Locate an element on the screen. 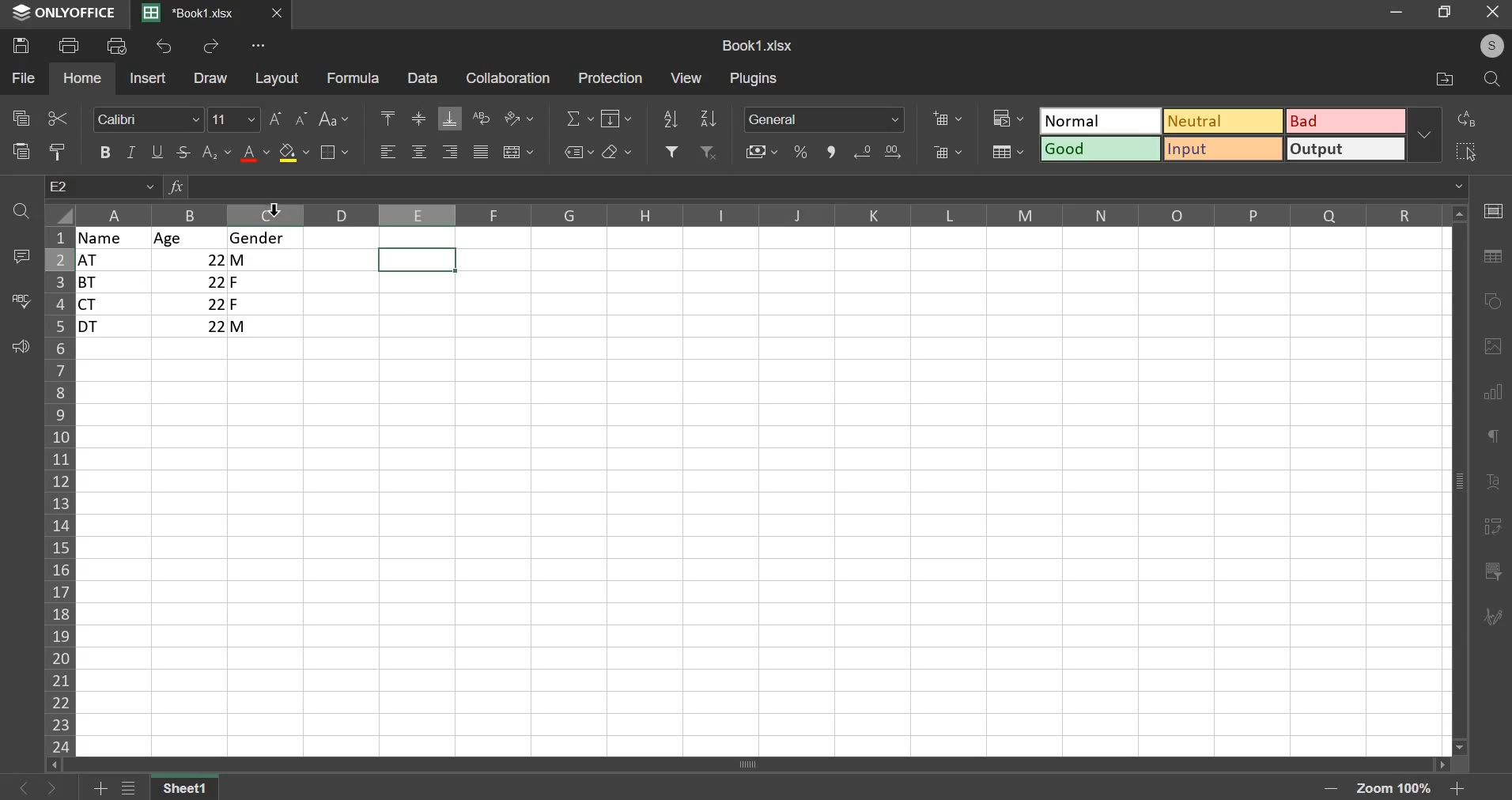  paste is located at coordinates (20, 152).